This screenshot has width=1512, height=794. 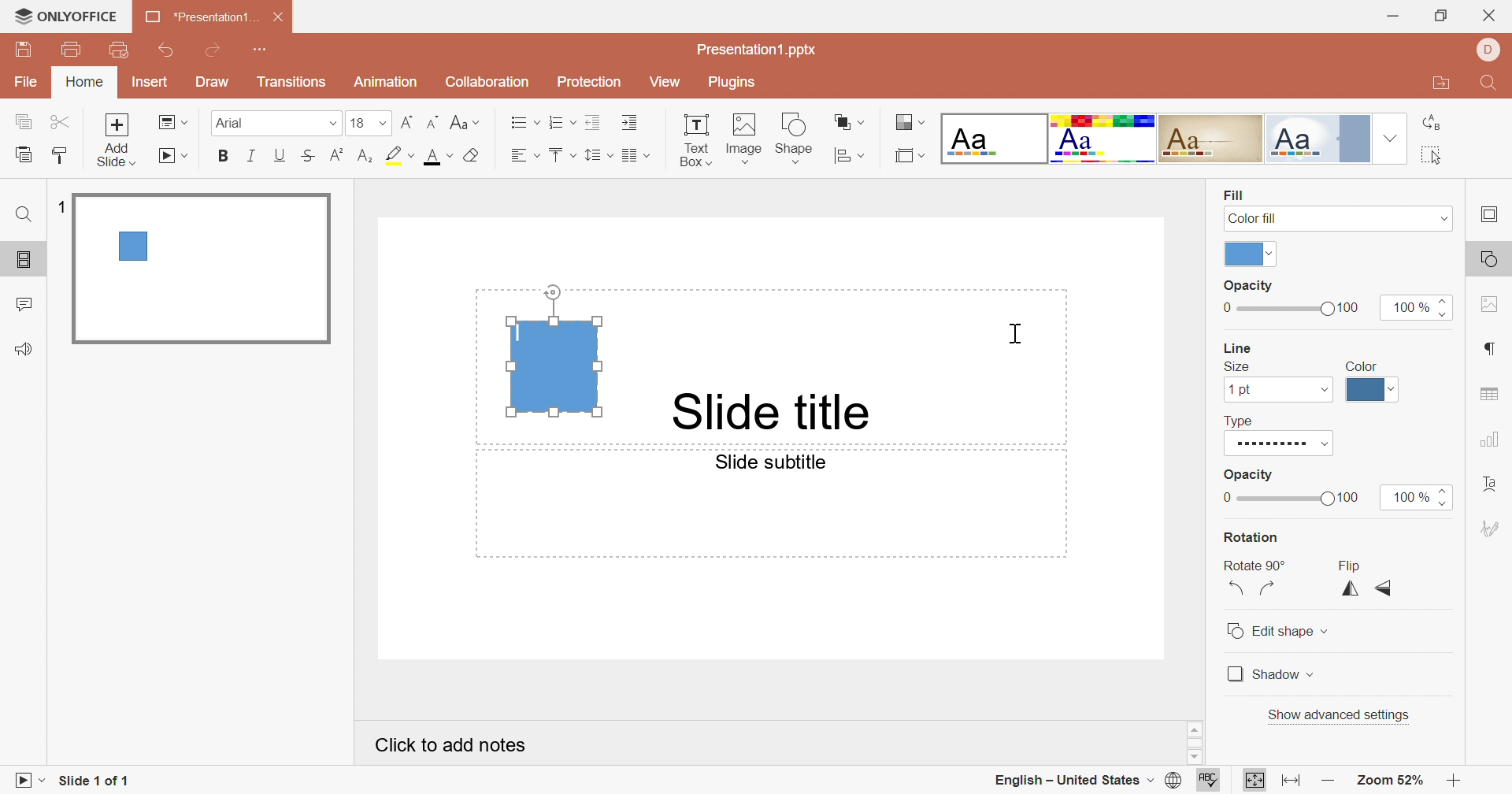 I want to click on color, so click(x=1242, y=254).